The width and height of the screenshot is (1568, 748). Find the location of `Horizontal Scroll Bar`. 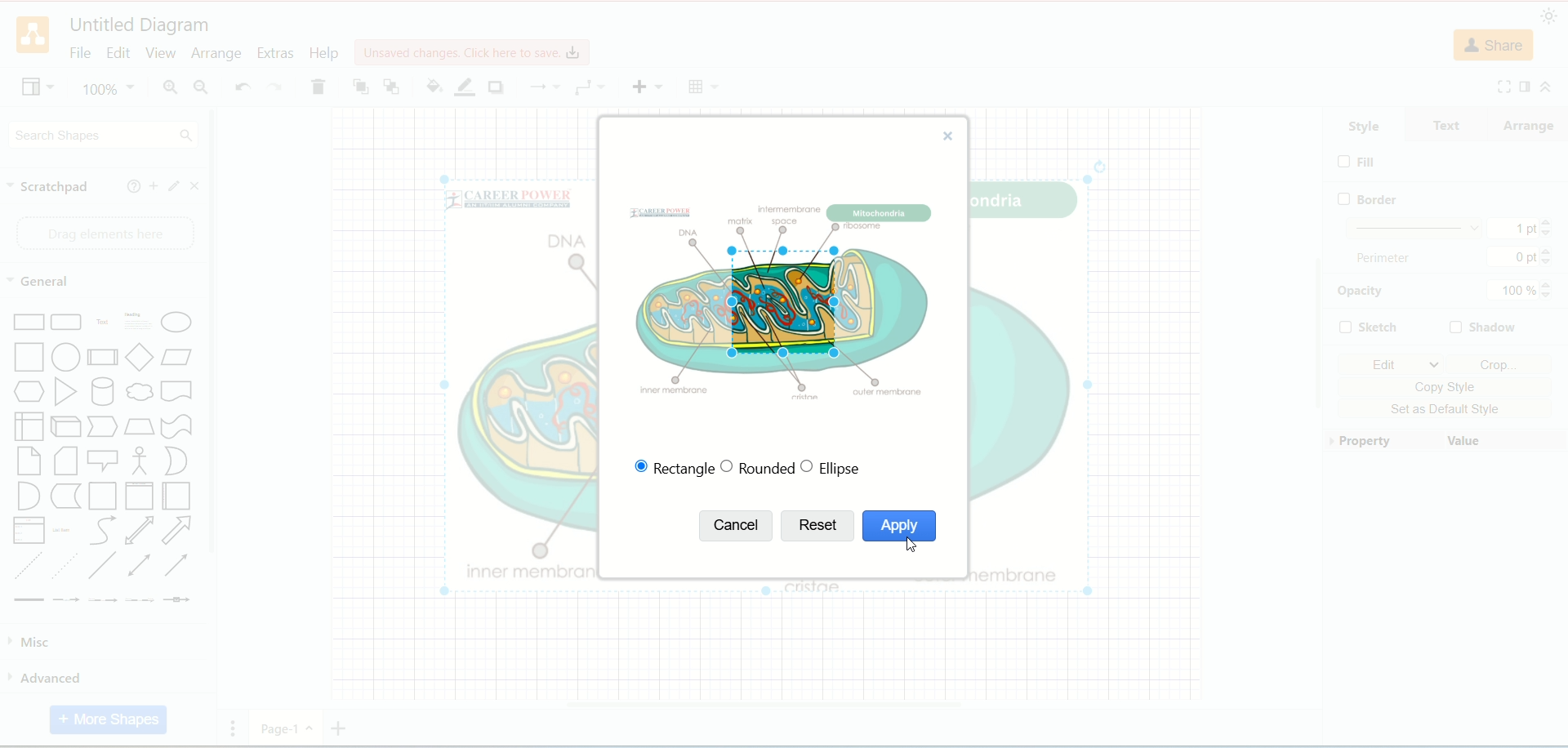

Horizontal Scroll Bar is located at coordinates (774, 702).